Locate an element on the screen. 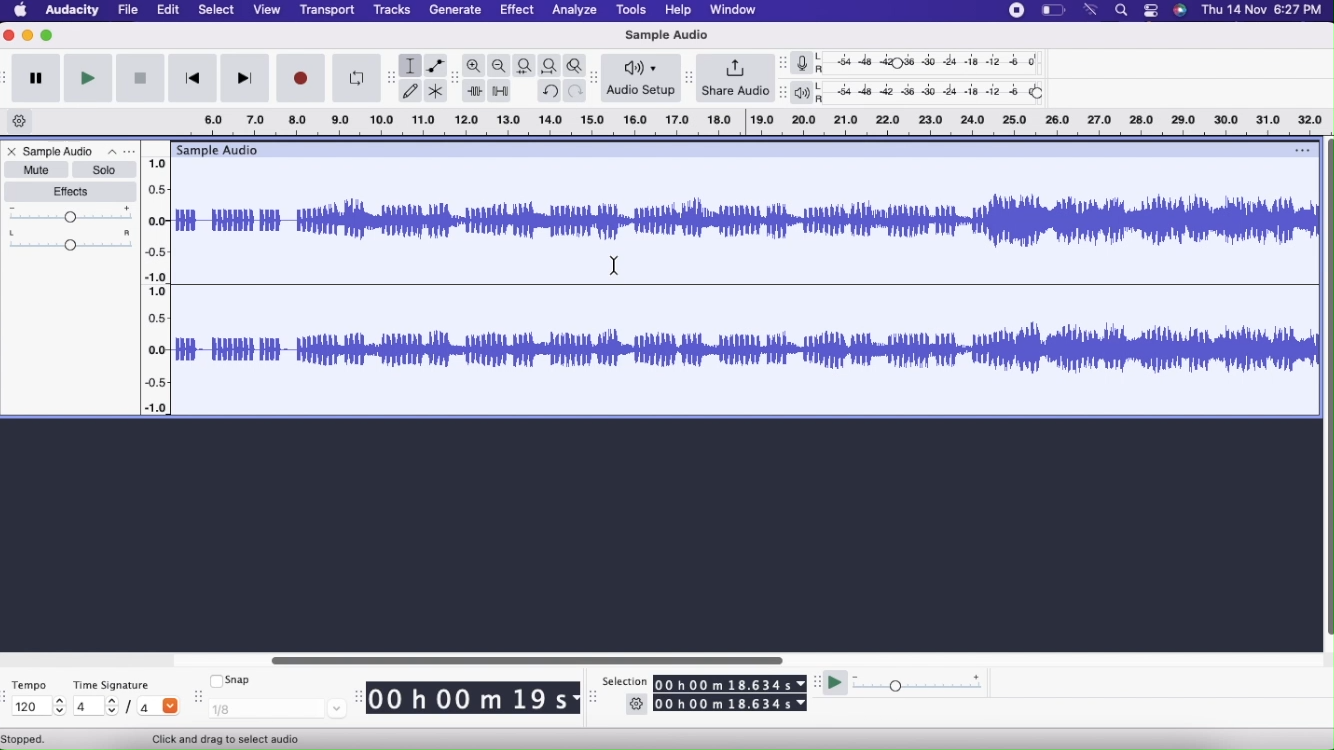  Audio Setup is located at coordinates (640, 77).